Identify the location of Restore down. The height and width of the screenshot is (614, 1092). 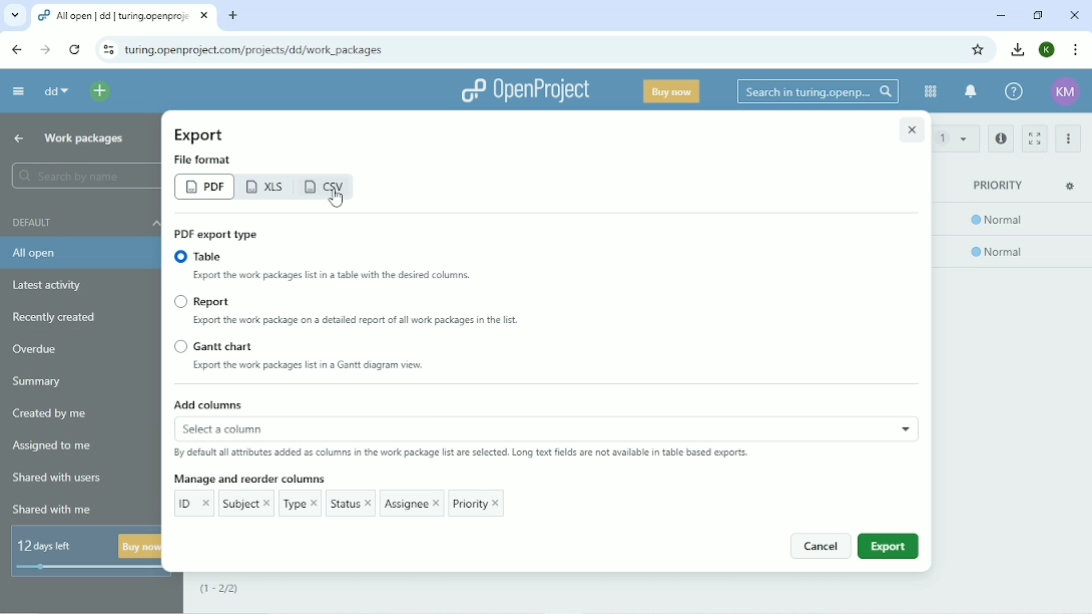
(1038, 14).